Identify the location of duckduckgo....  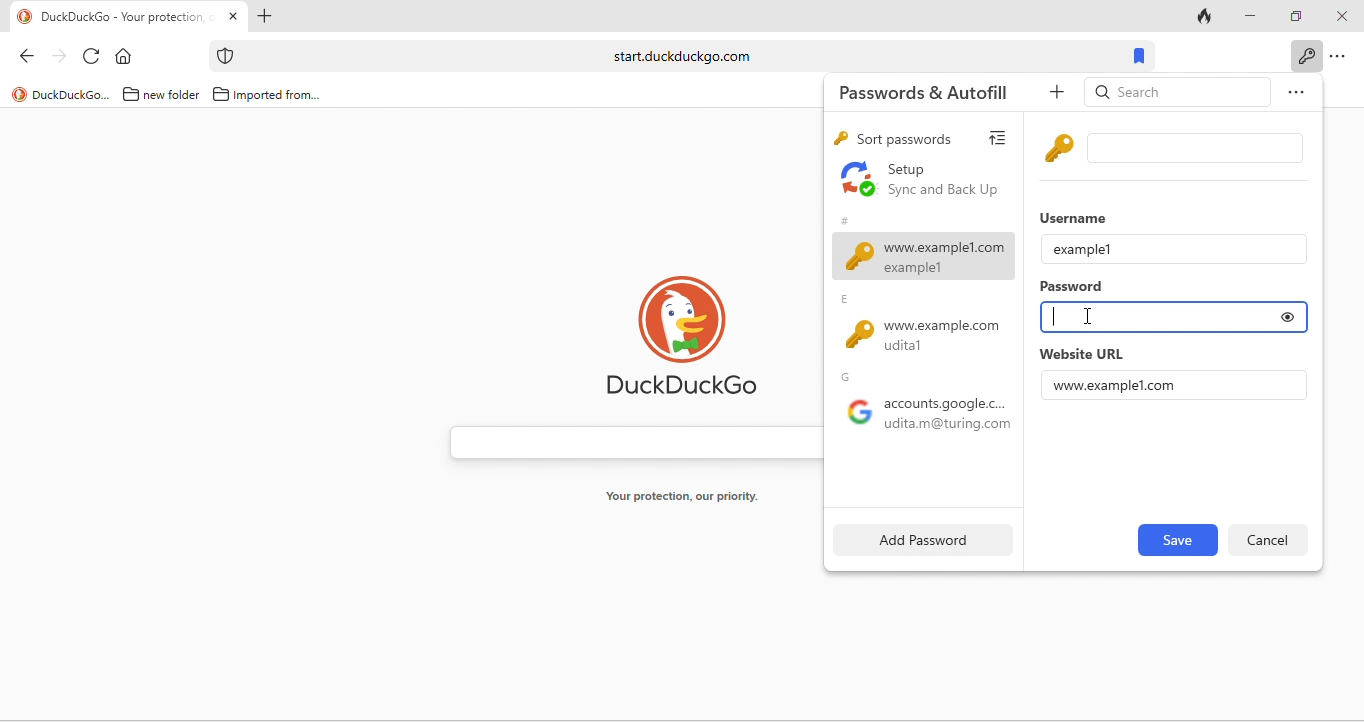
(72, 96).